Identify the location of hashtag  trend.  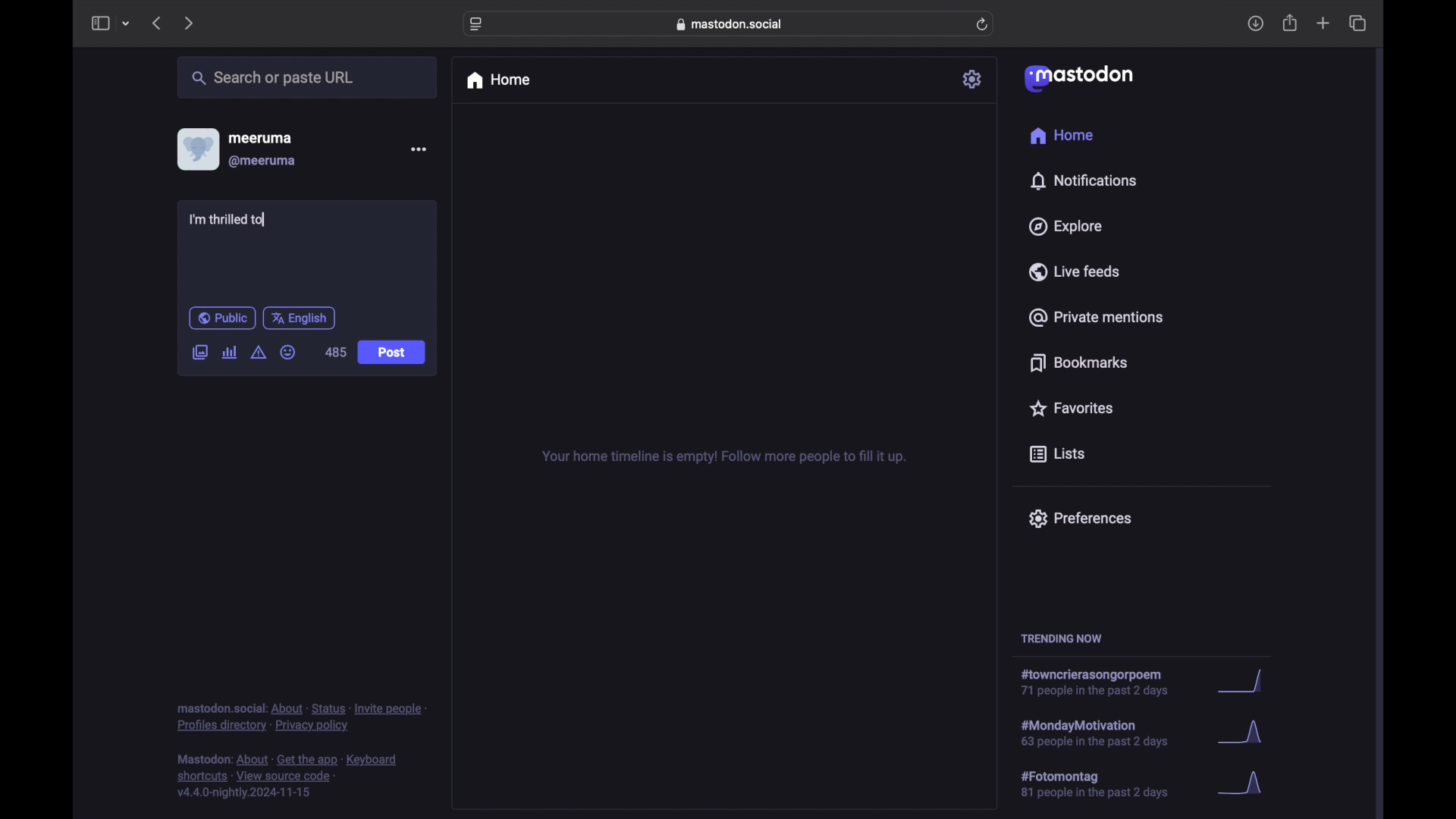
(1109, 732).